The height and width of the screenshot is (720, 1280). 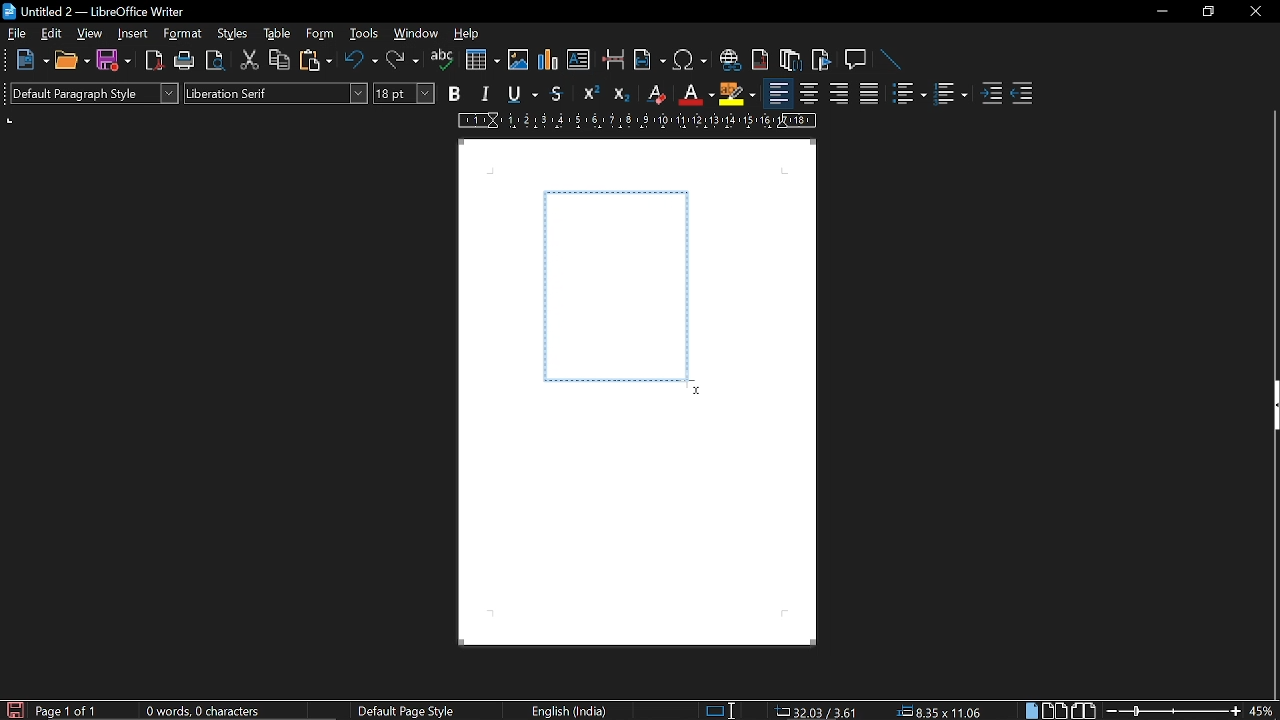 What do you see at coordinates (234, 36) in the screenshot?
I see `styles` at bounding box center [234, 36].